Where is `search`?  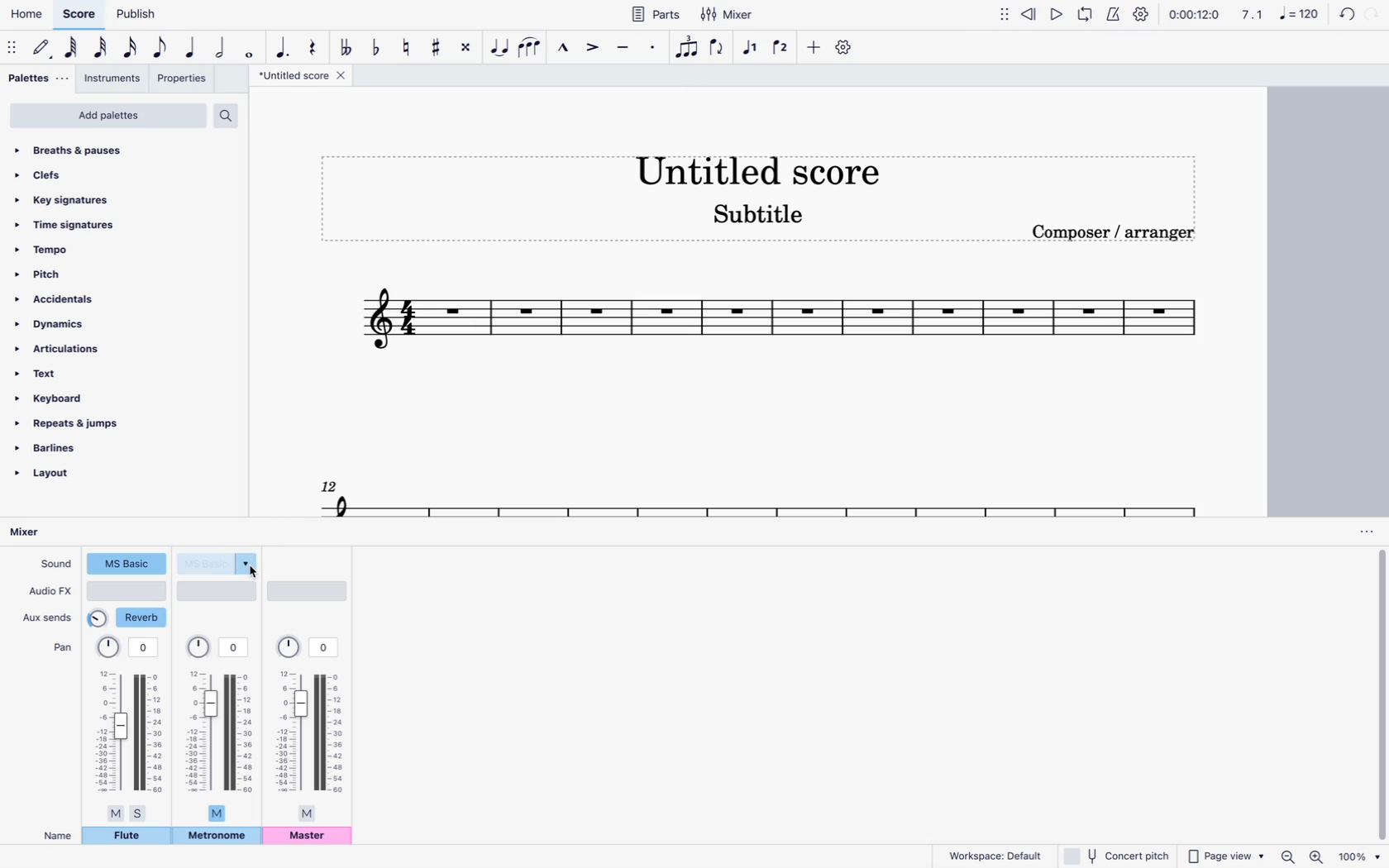 search is located at coordinates (232, 112).